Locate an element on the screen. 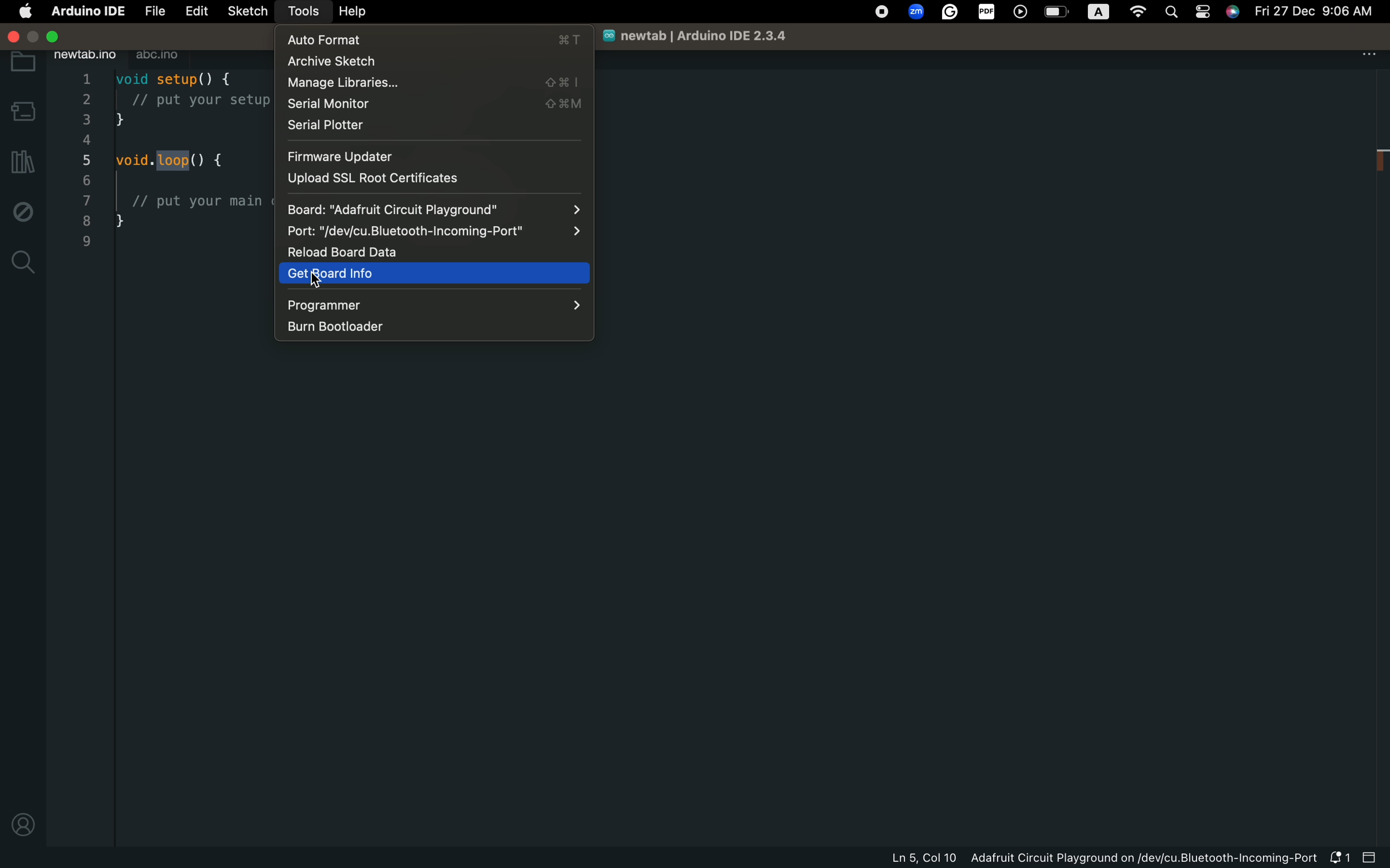 Image resolution: width=1390 pixels, height=868 pixels. archive sketch is located at coordinates (421, 60).